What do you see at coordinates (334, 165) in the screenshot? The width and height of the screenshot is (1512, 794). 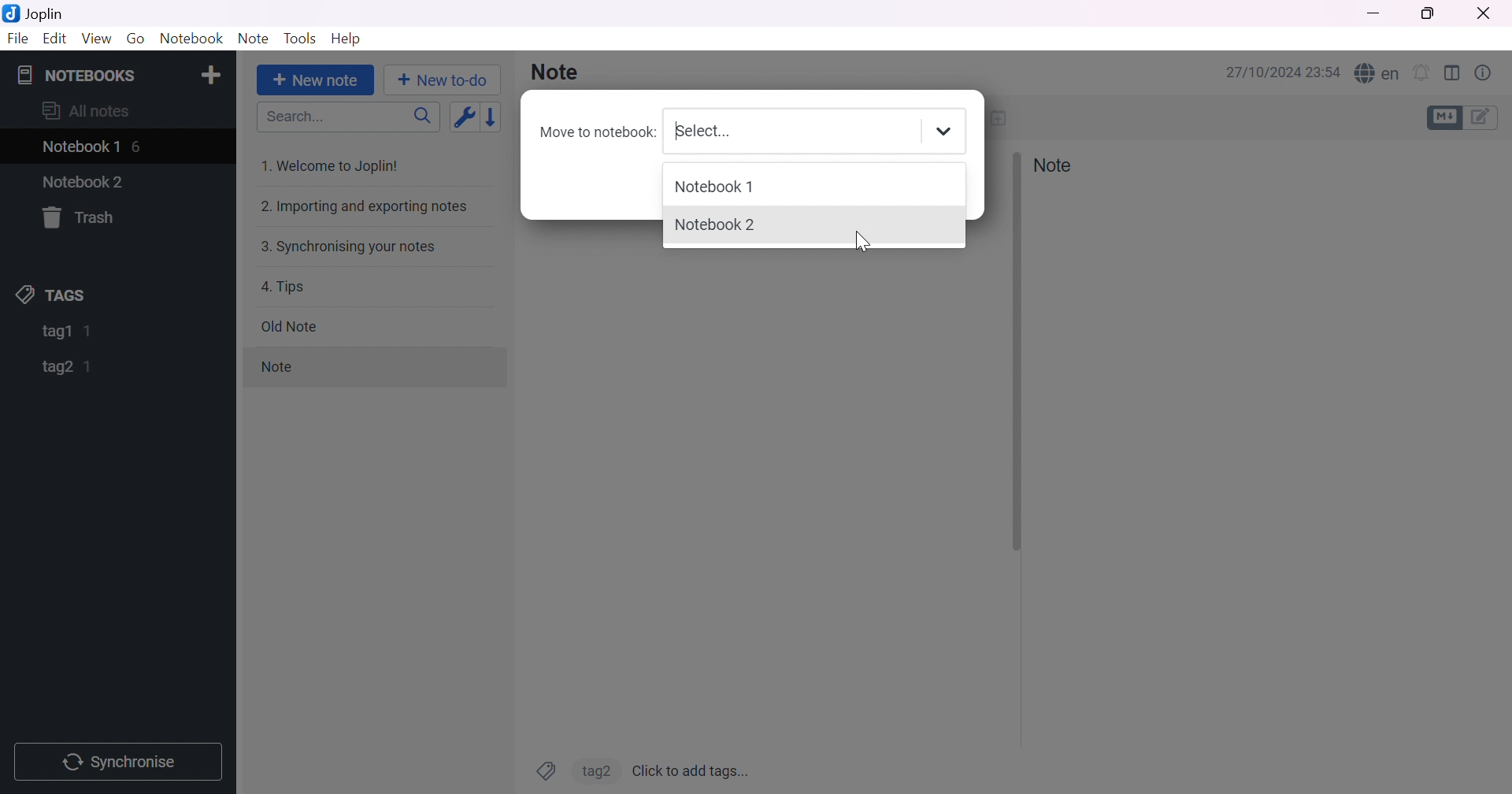 I see `1. Welcome to Joplin!` at bounding box center [334, 165].